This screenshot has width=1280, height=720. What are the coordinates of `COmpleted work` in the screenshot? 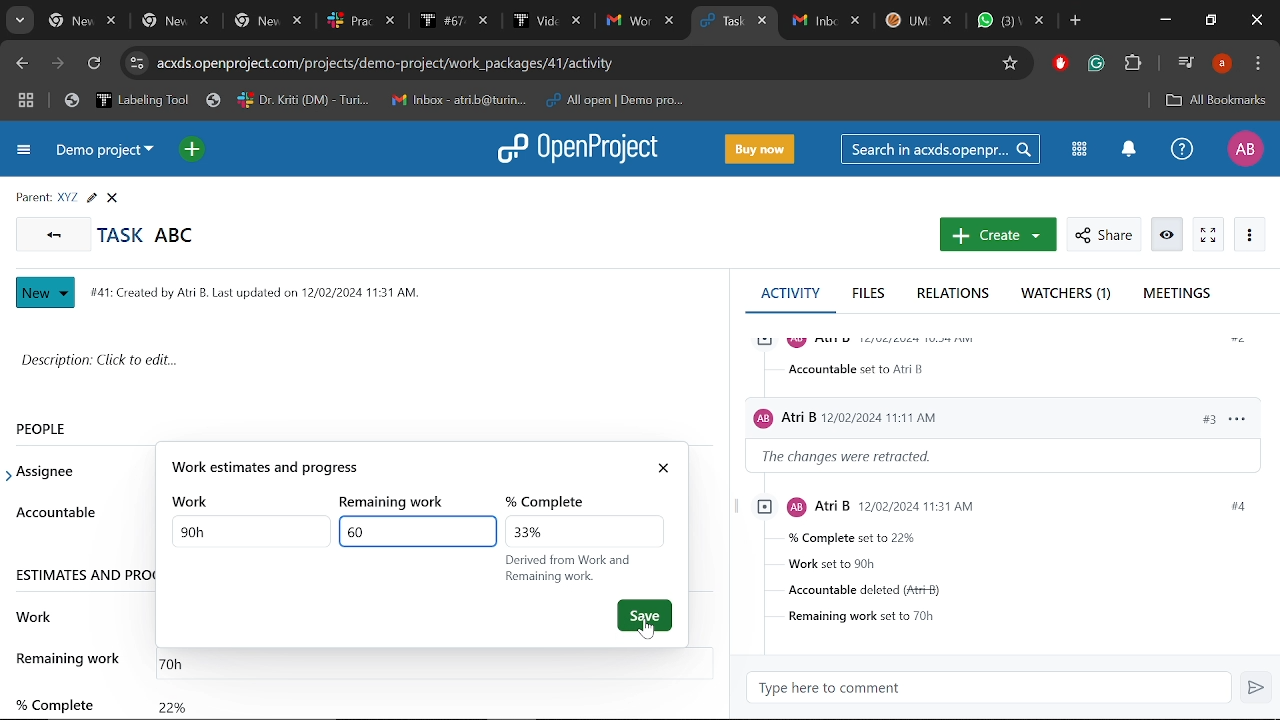 It's located at (583, 532).